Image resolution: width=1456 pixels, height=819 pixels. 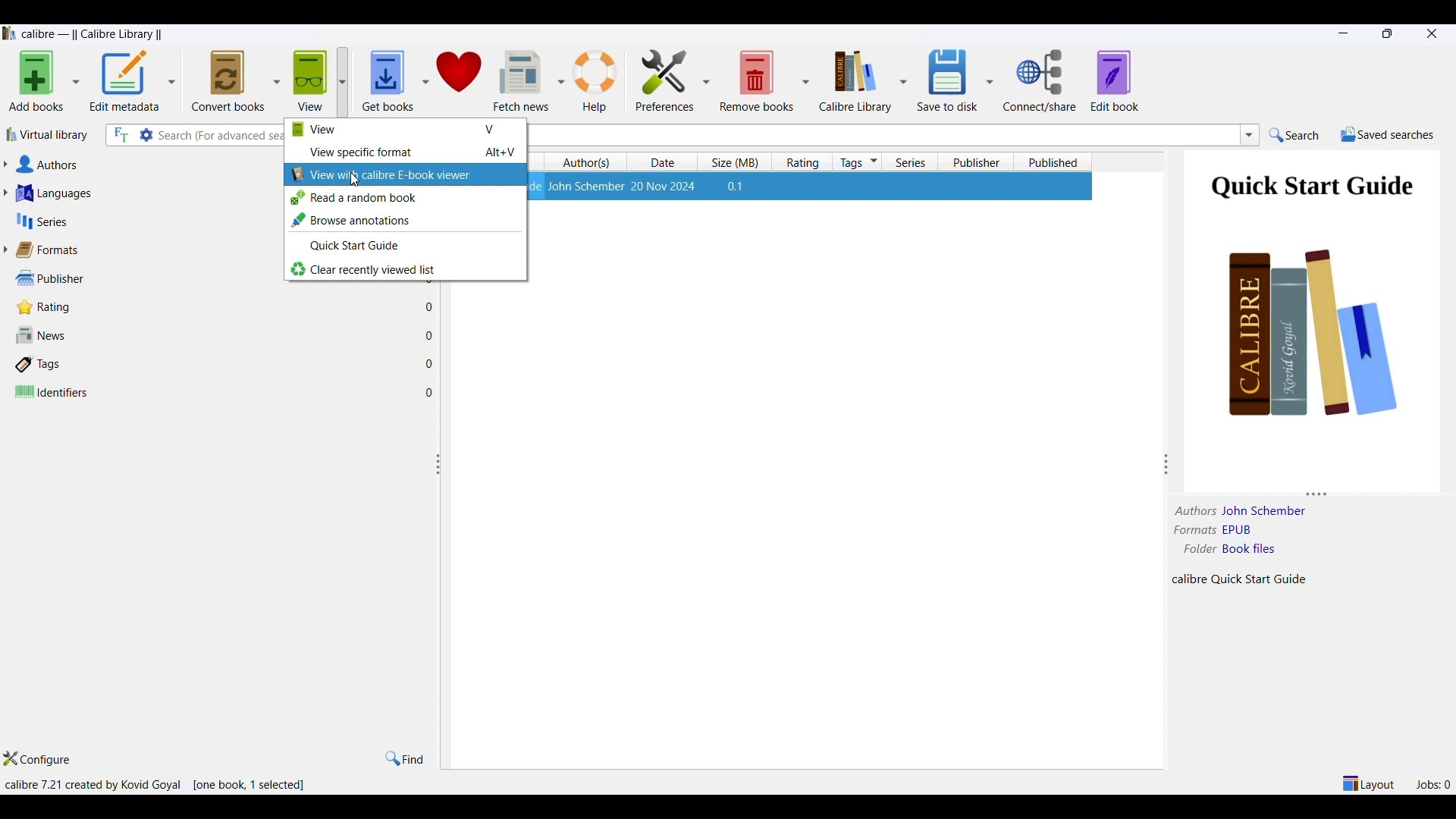 I want to click on view specific format, so click(x=407, y=152).